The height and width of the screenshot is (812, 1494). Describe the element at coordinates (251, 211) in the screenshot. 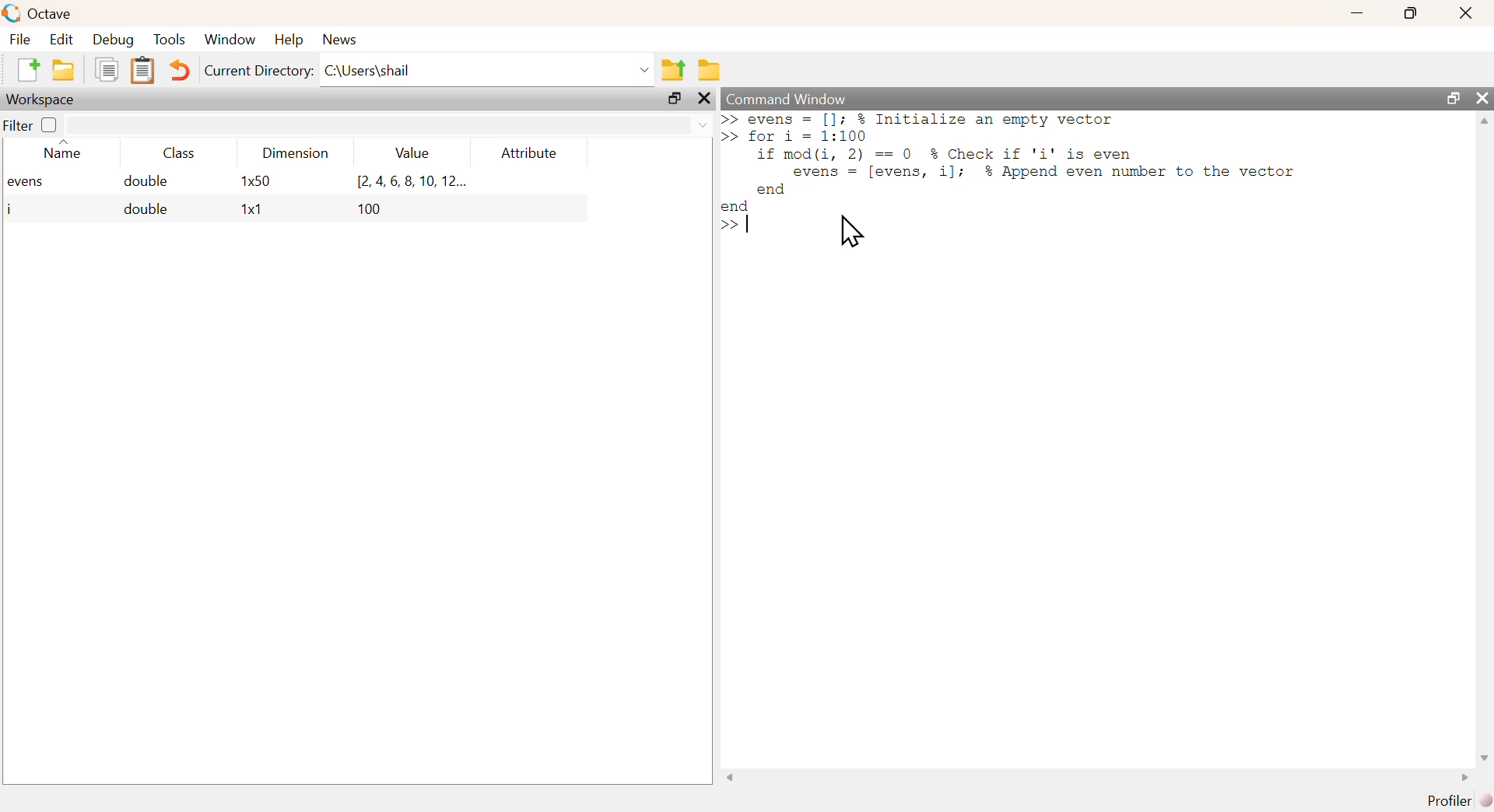

I see `1x1` at that location.